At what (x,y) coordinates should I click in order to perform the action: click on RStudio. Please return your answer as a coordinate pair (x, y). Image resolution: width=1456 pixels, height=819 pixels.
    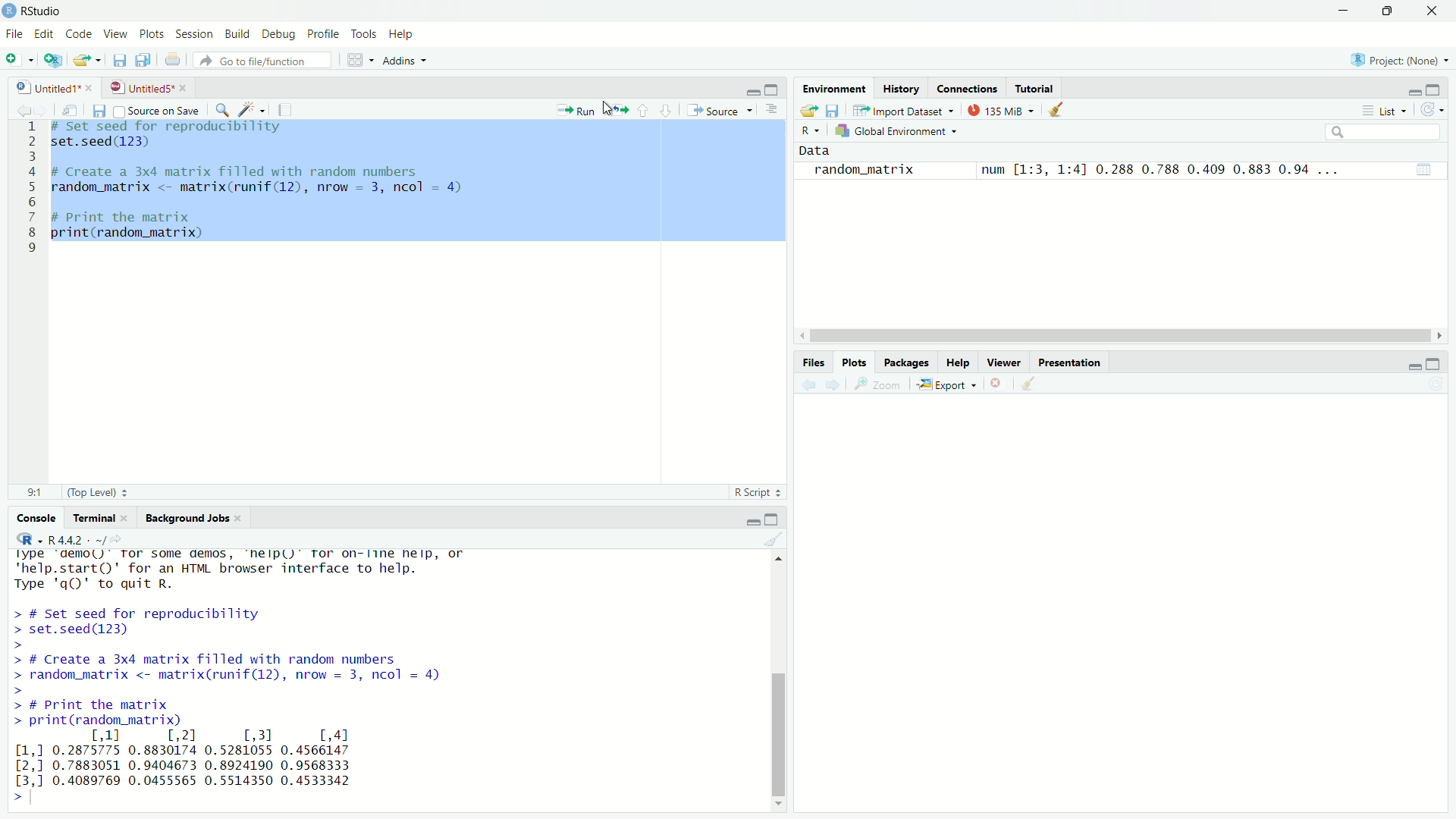
    Looking at the image, I should click on (40, 11).